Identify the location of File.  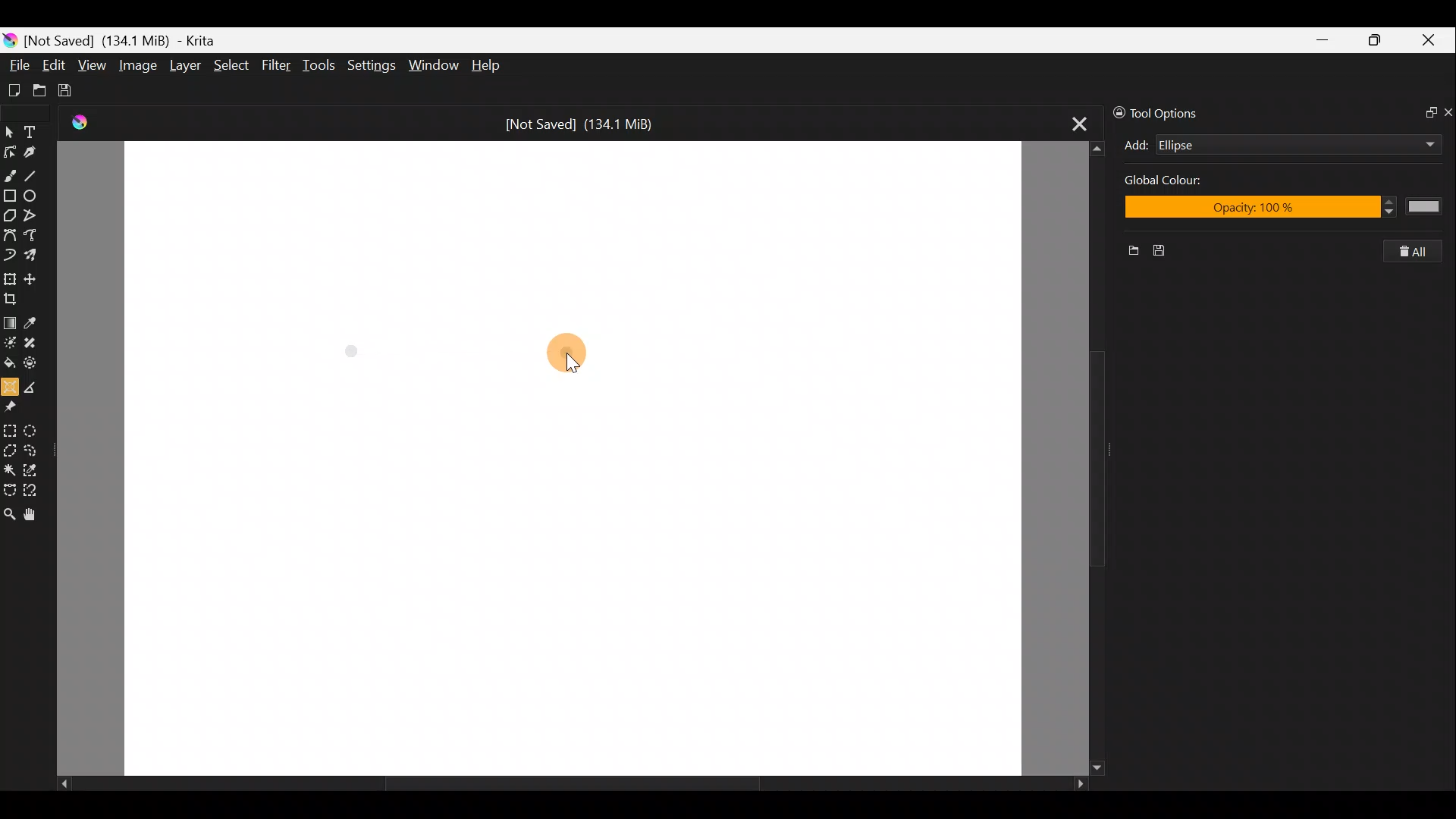
(17, 61).